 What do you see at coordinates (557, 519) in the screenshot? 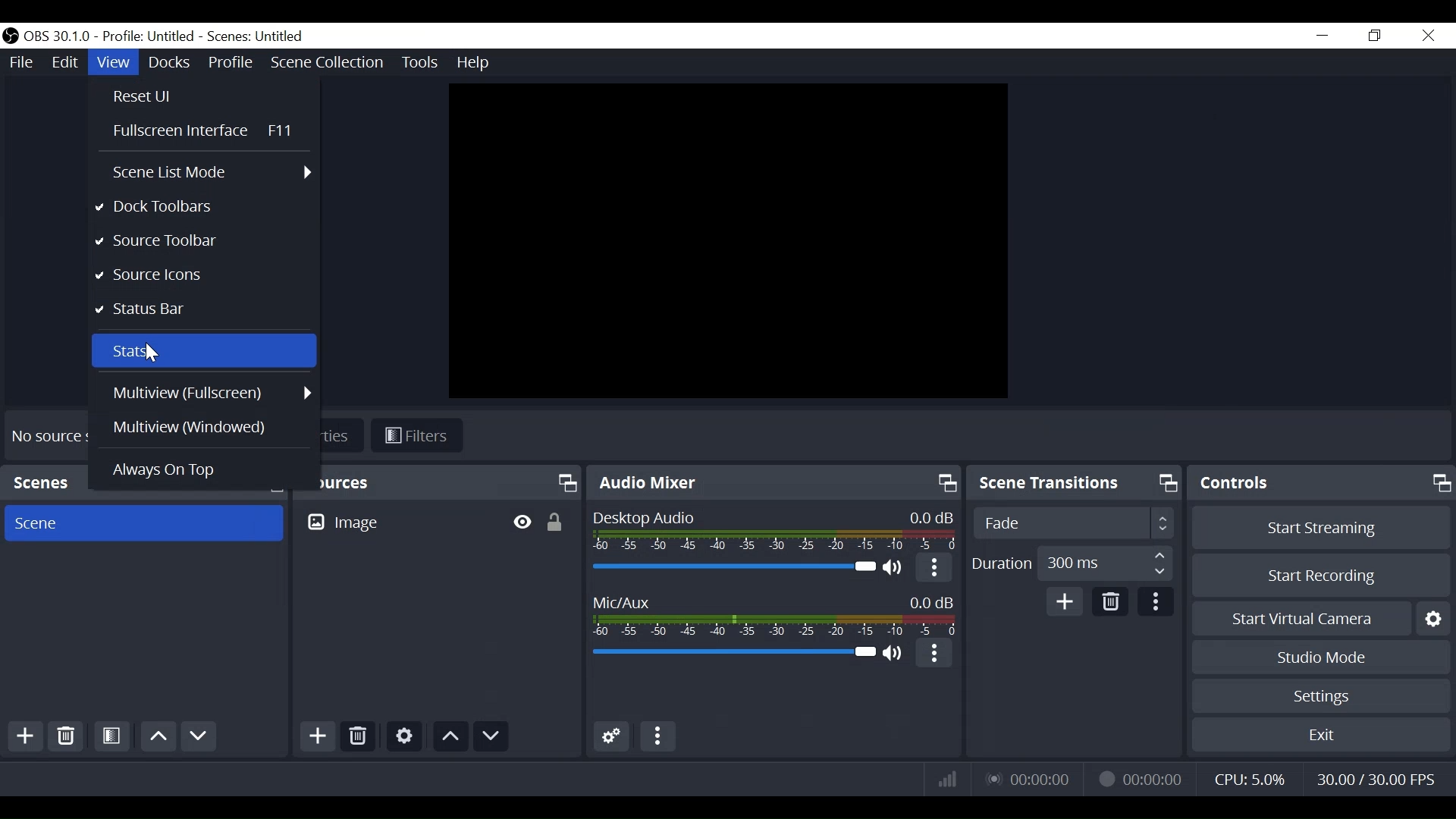
I see `(un)lock Source` at bounding box center [557, 519].